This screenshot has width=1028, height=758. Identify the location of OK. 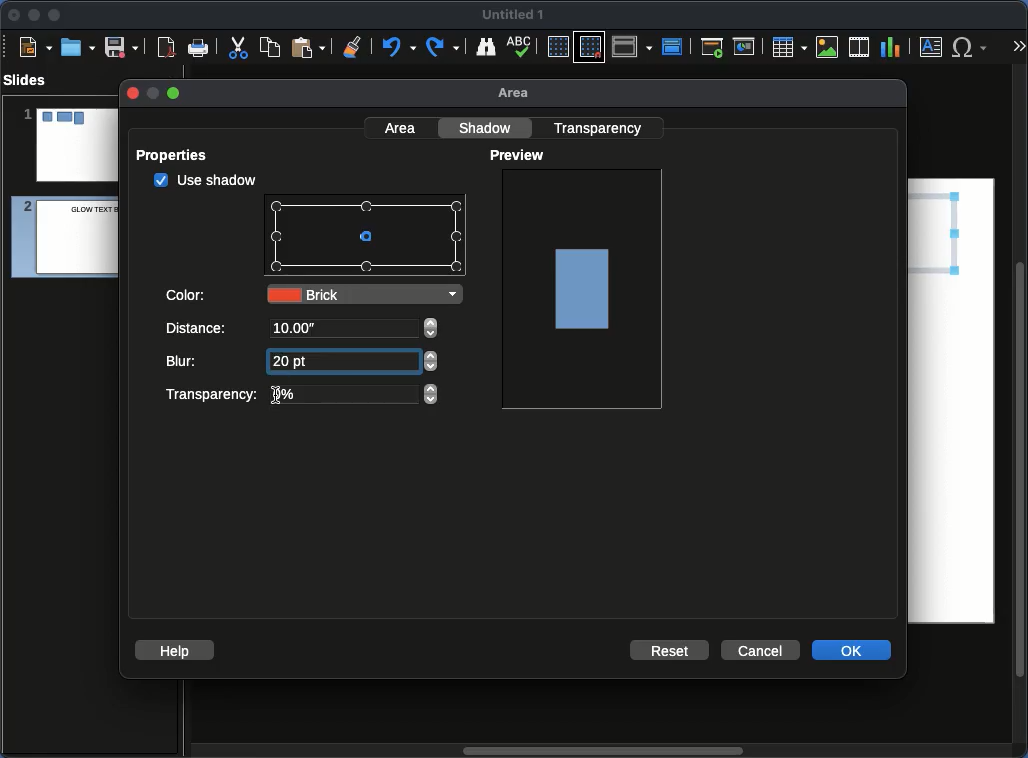
(853, 649).